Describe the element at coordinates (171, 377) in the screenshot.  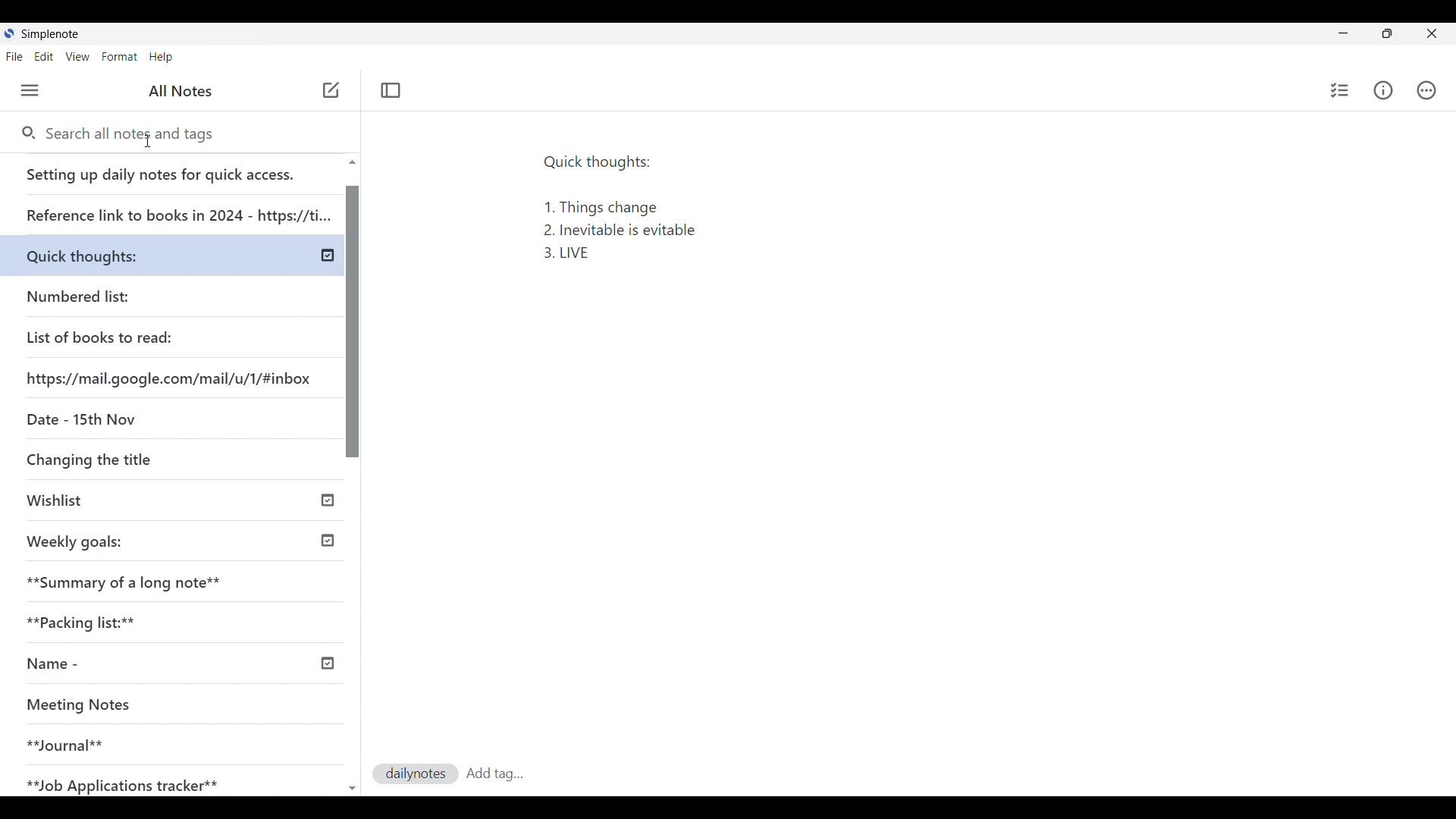
I see `https://mail.google.com/mail/u/1/#inbox` at that location.